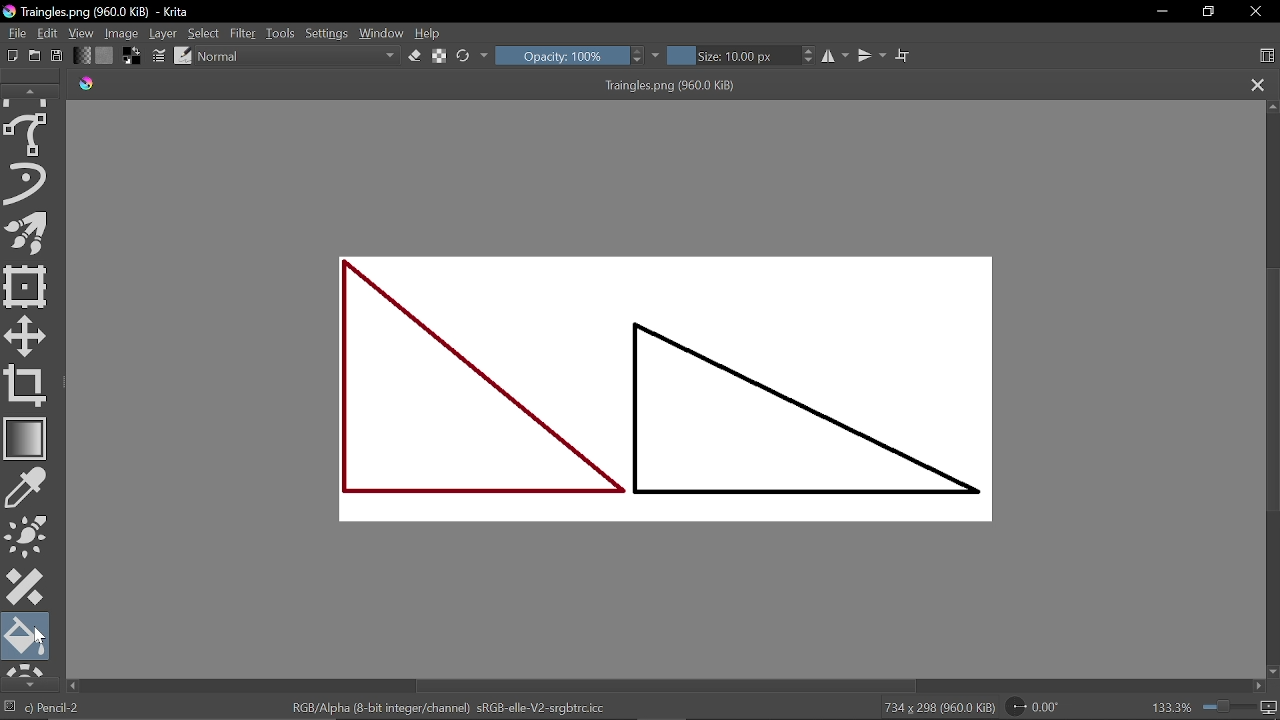  What do you see at coordinates (87, 85) in the screenshot?
I see `app icon` at bounding box center [87, 85].